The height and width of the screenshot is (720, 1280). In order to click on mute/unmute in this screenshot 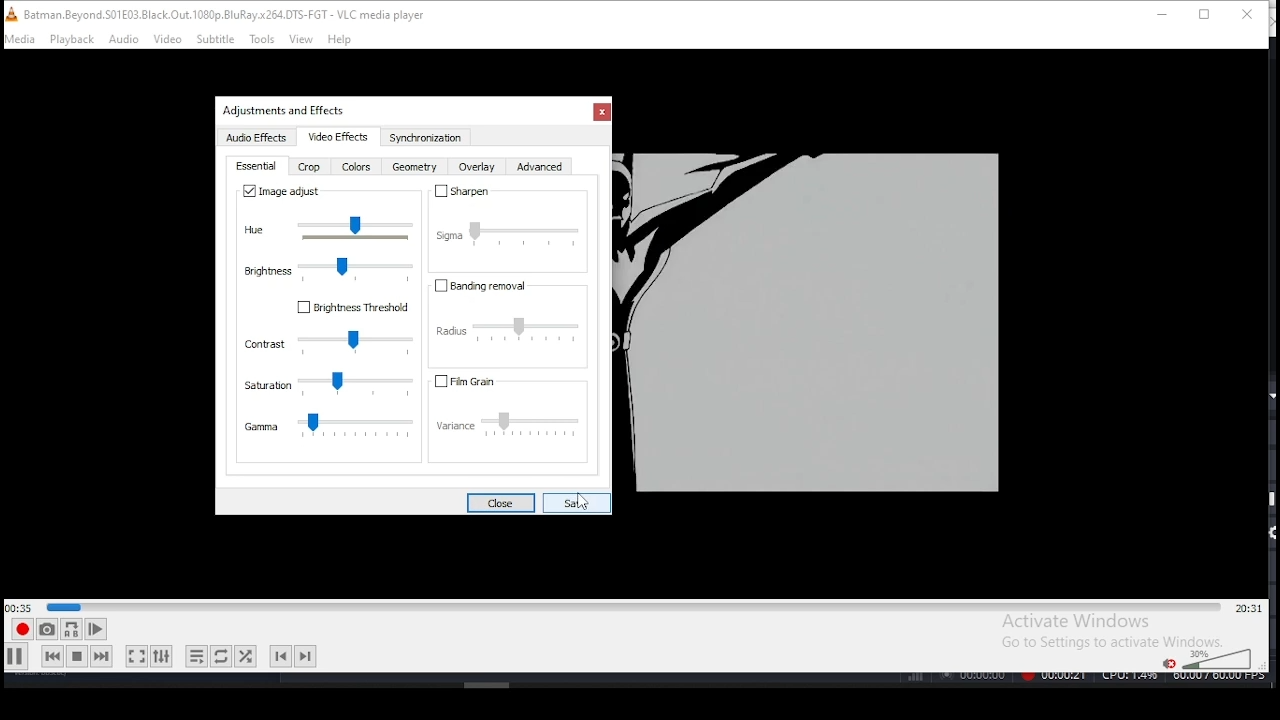, I will do `click(1166, 662)`.